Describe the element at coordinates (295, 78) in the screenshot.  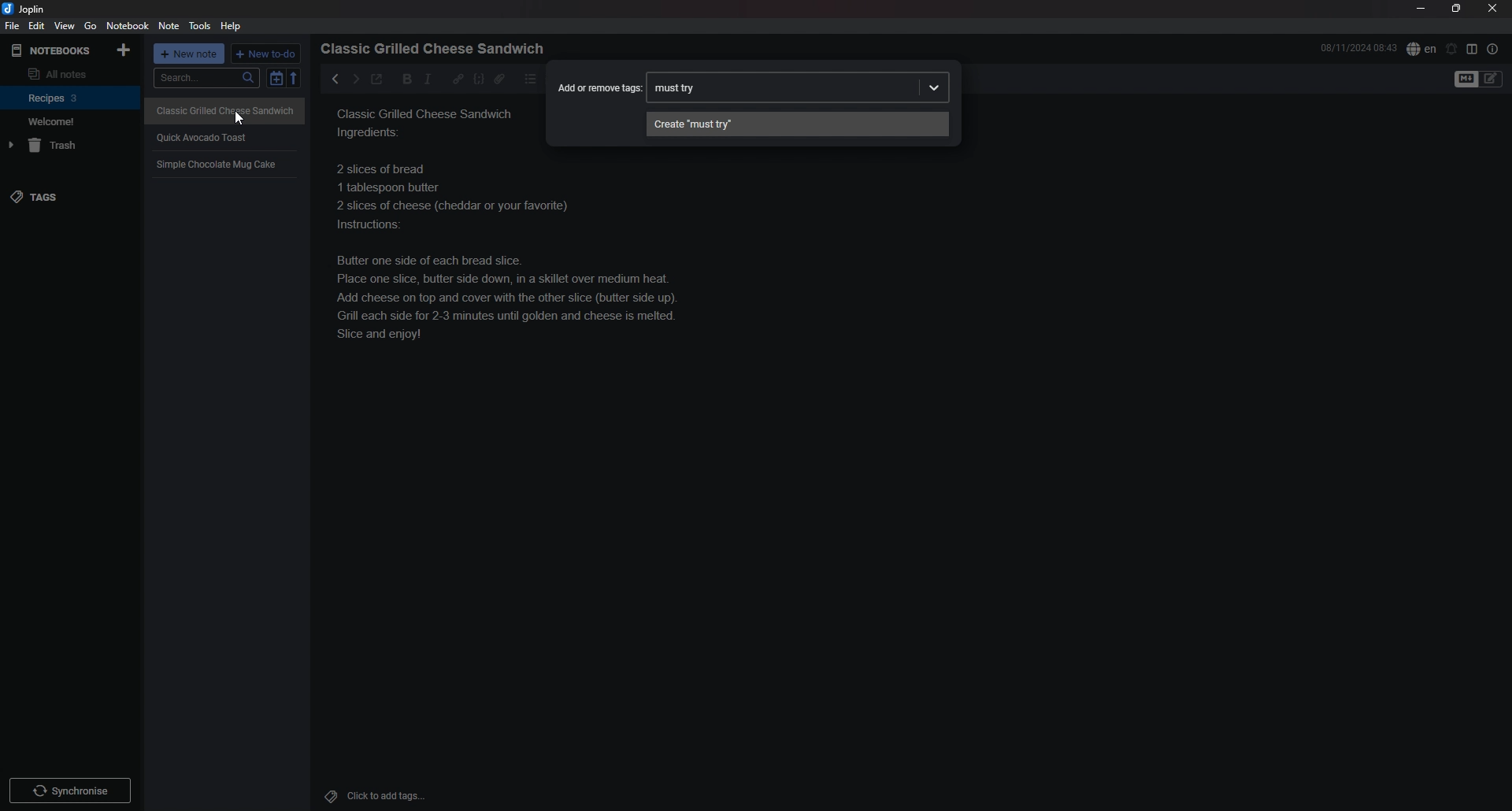
I see `reverse sort order` at that location.